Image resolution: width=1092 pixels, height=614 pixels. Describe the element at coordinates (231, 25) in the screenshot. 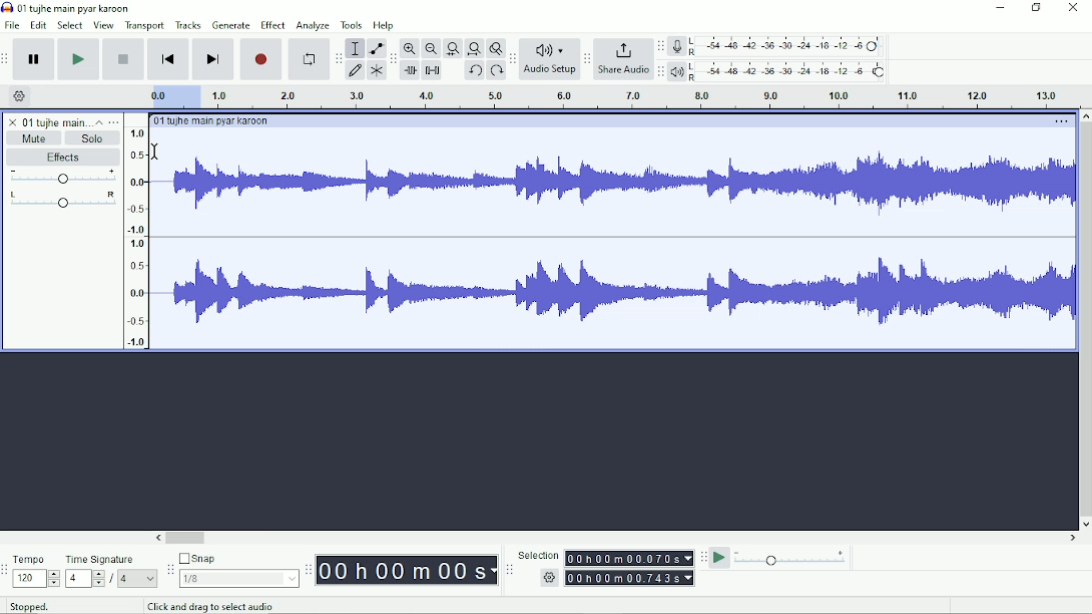

I see `Generate` at that location.